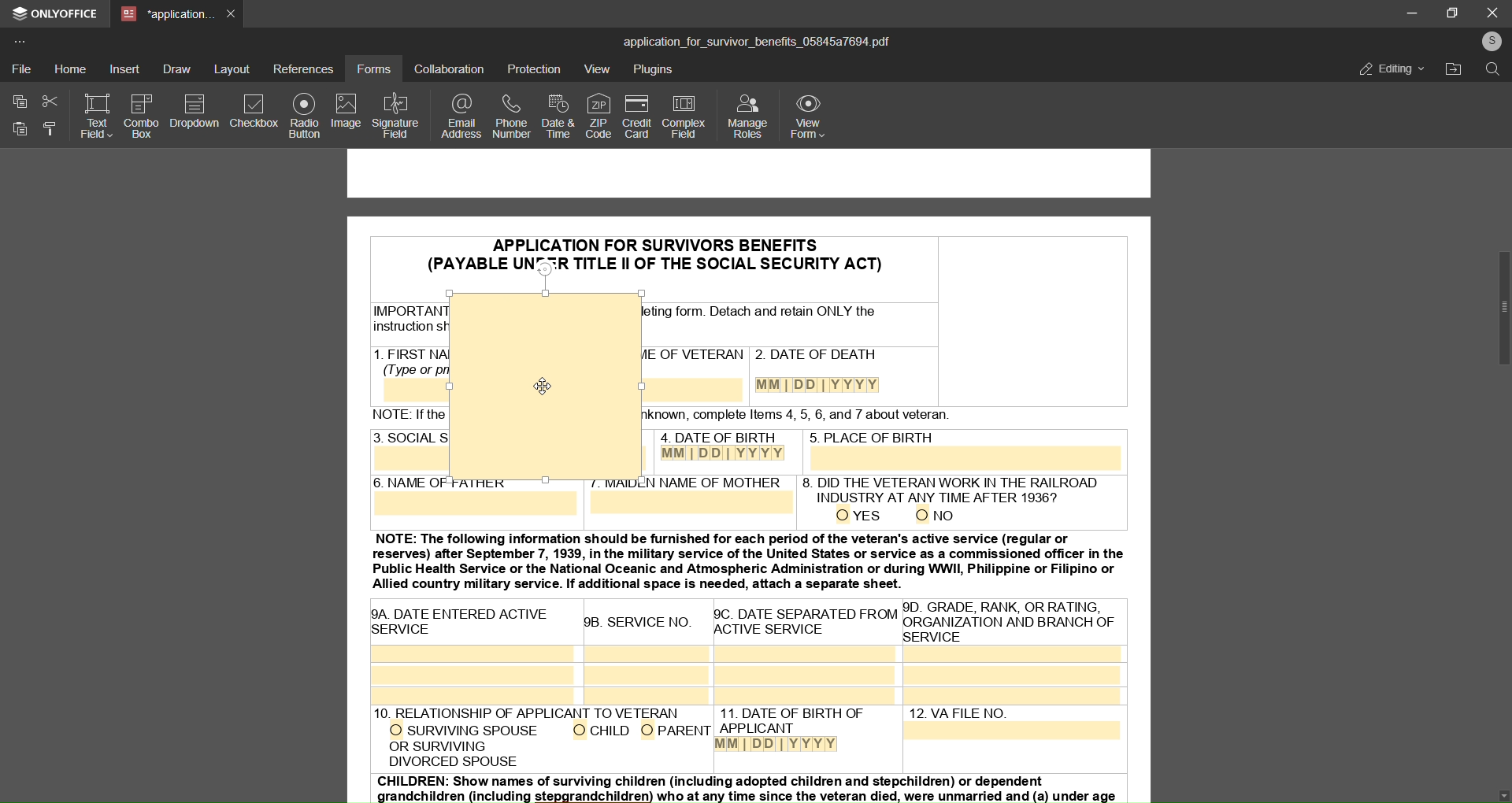  Describe the element at coordinates (400, 108) in the screenshot. I see `signature` at that location.